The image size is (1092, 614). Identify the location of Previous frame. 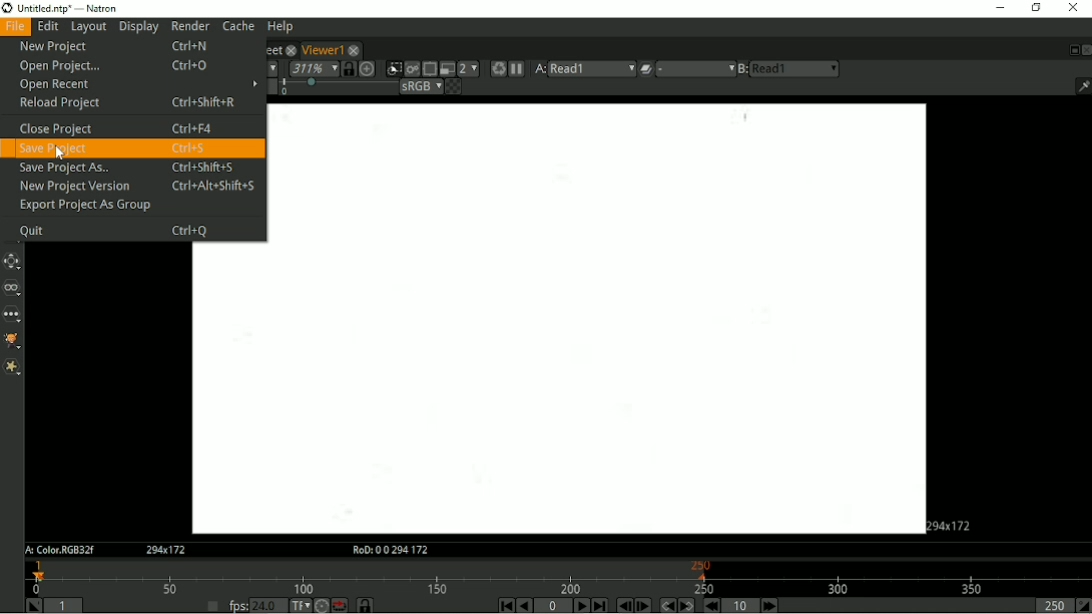
(624, 606).